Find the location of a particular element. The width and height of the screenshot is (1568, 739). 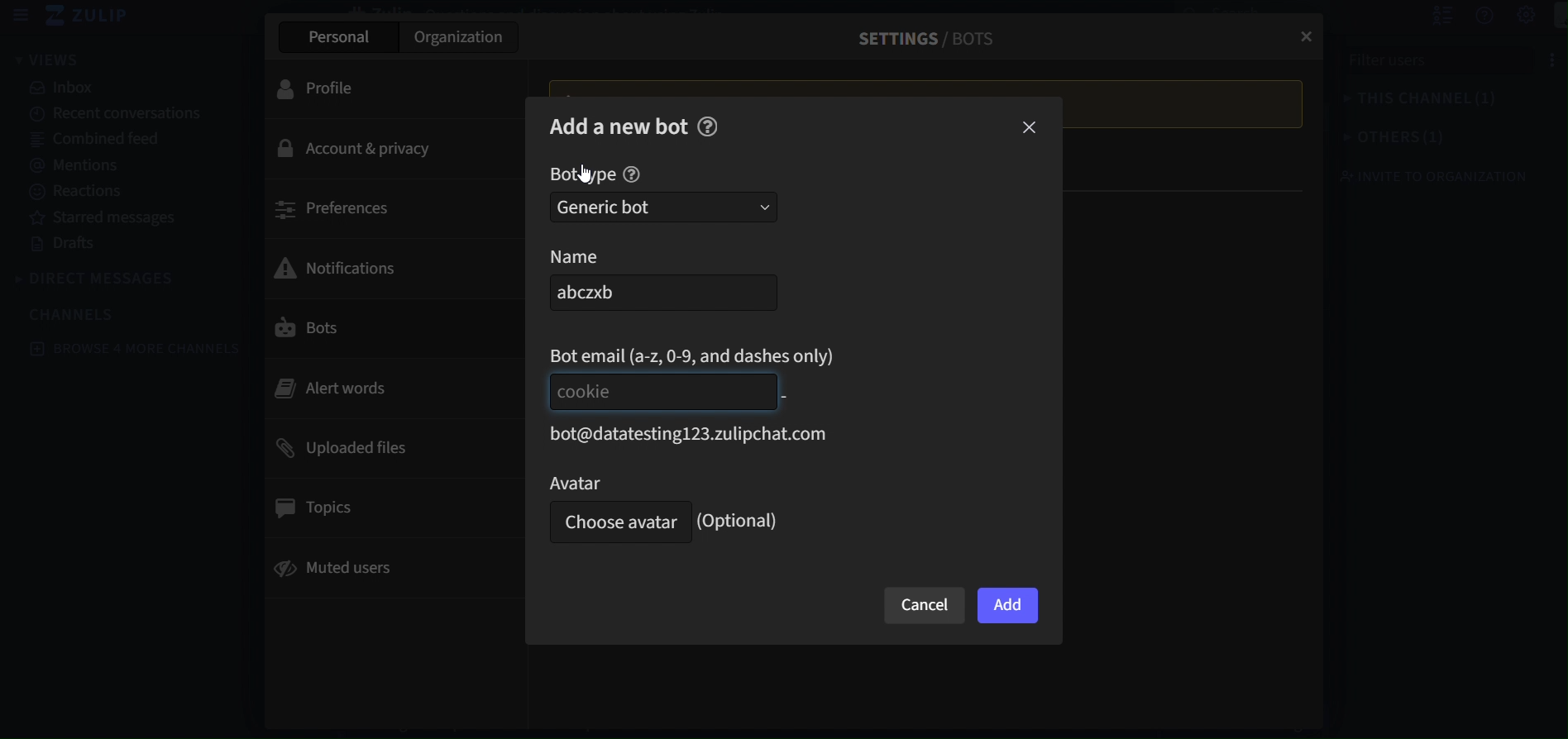

combined feed is located at coordinates (127, 141).